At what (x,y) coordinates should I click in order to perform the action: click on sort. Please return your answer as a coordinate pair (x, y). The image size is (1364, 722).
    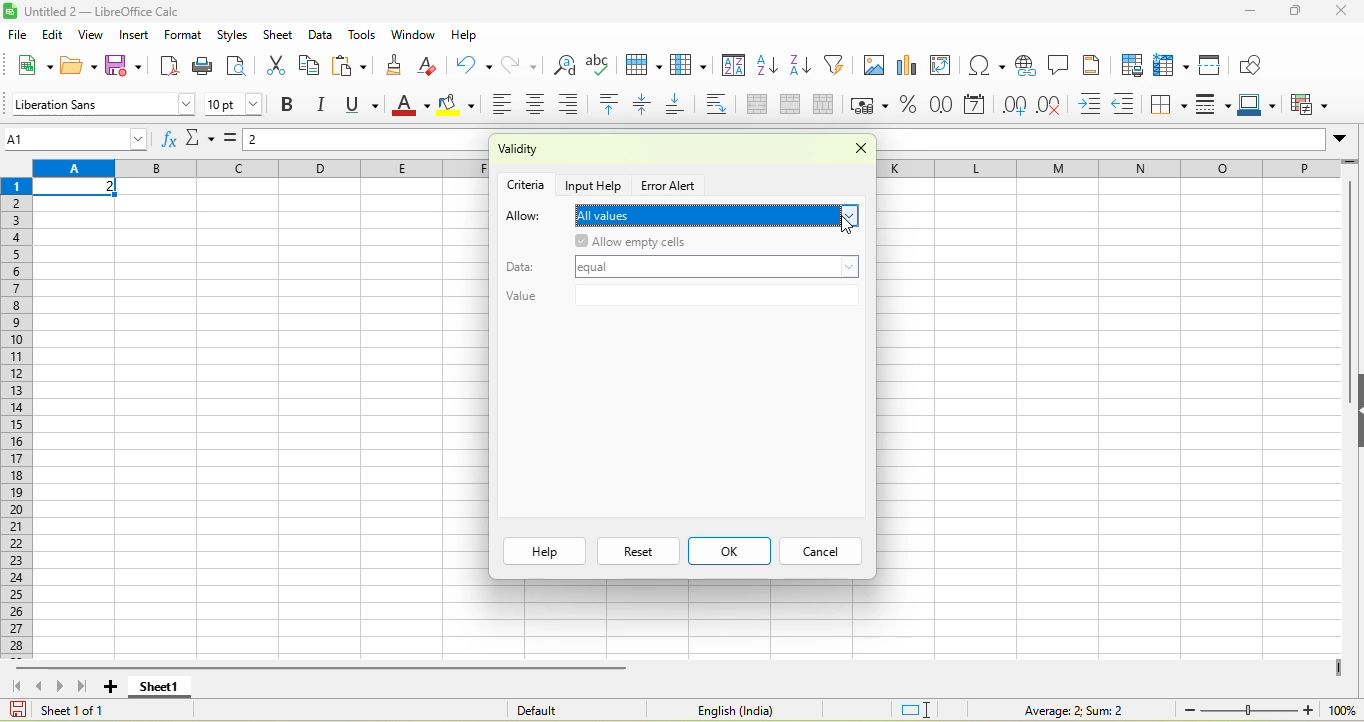
    Looking at the image, I should click on (734, 68).